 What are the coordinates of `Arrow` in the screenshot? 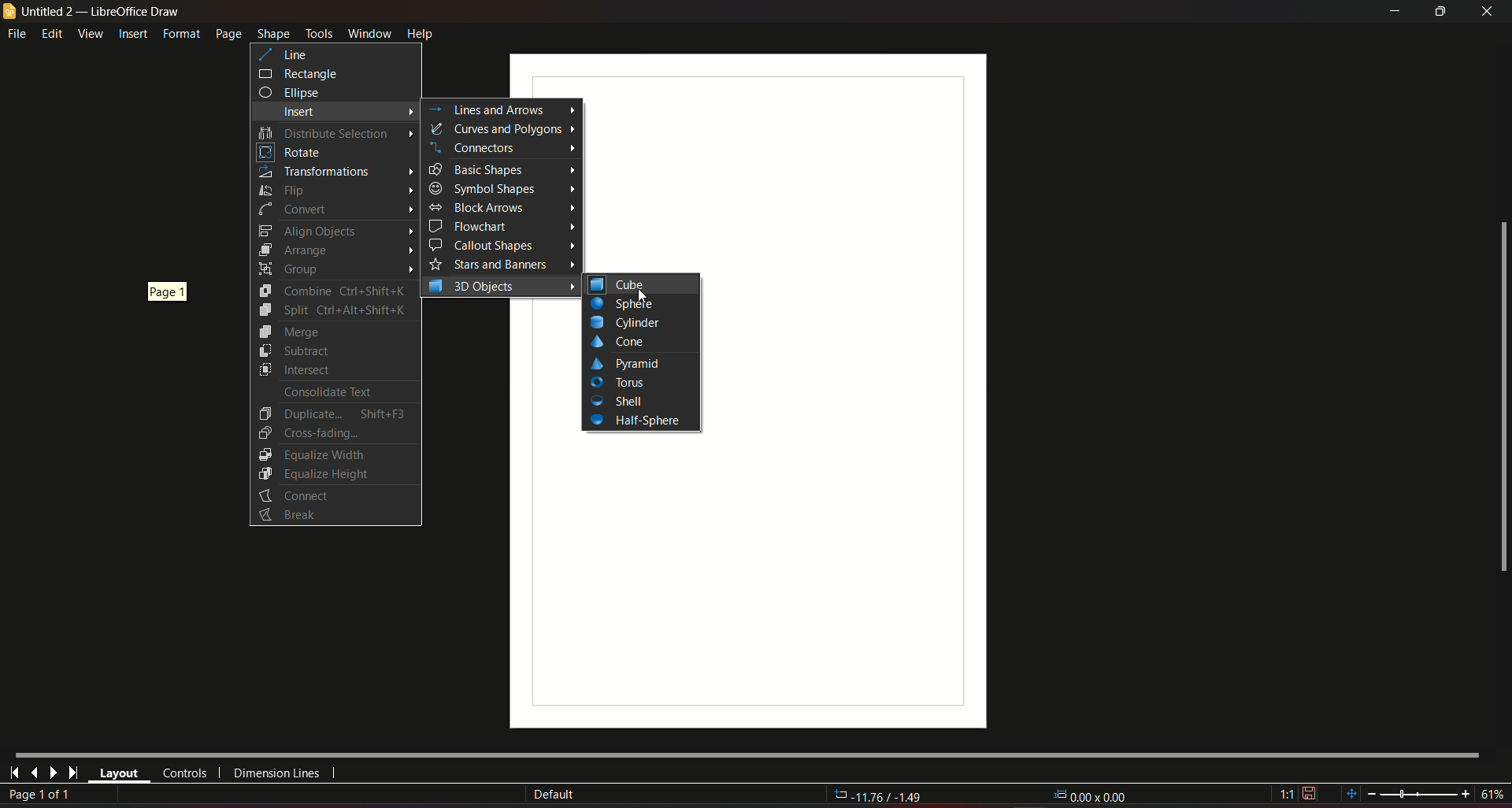 It's located at (570, 206).